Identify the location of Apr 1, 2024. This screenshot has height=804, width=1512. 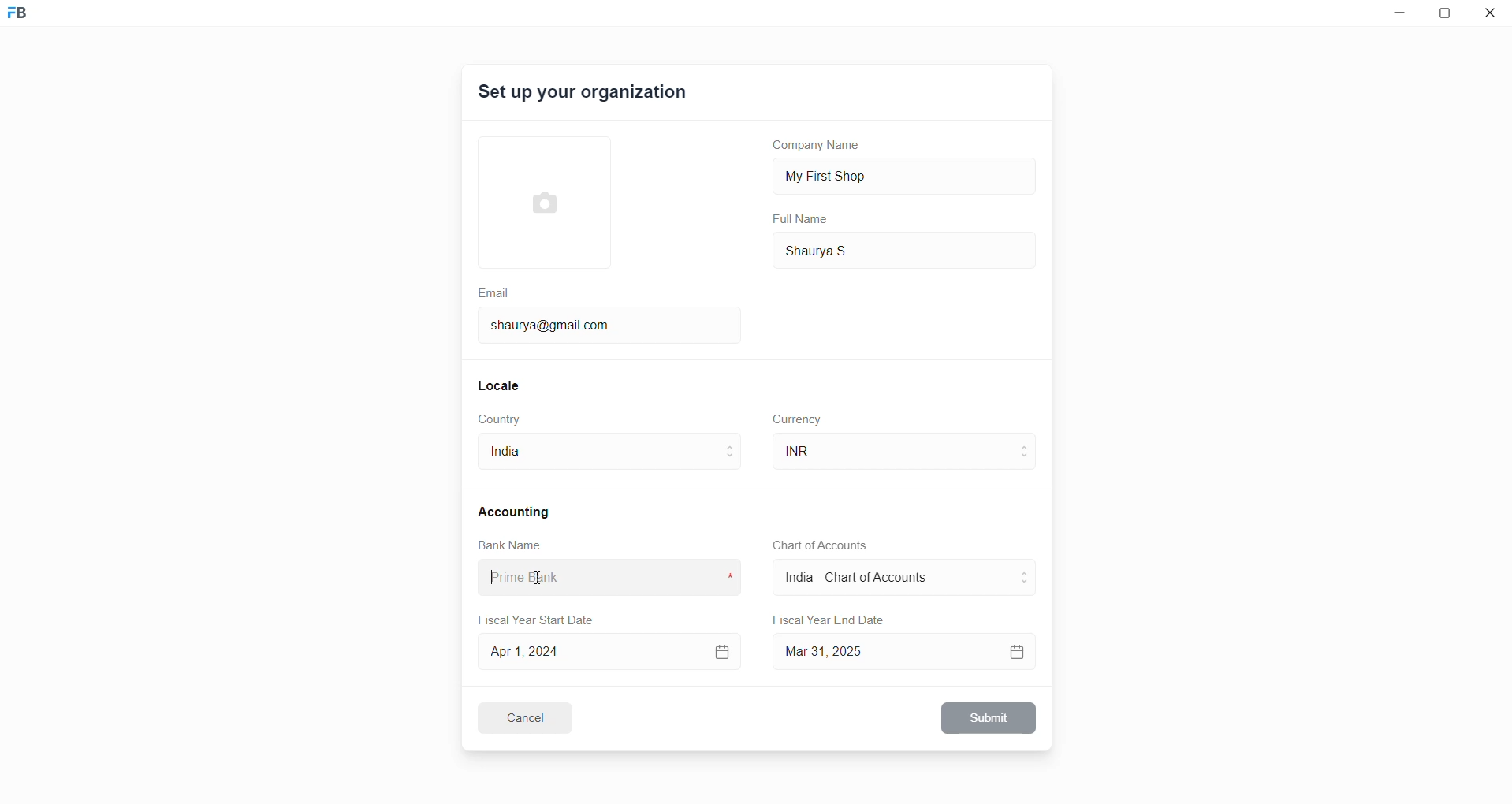
(608, 650).